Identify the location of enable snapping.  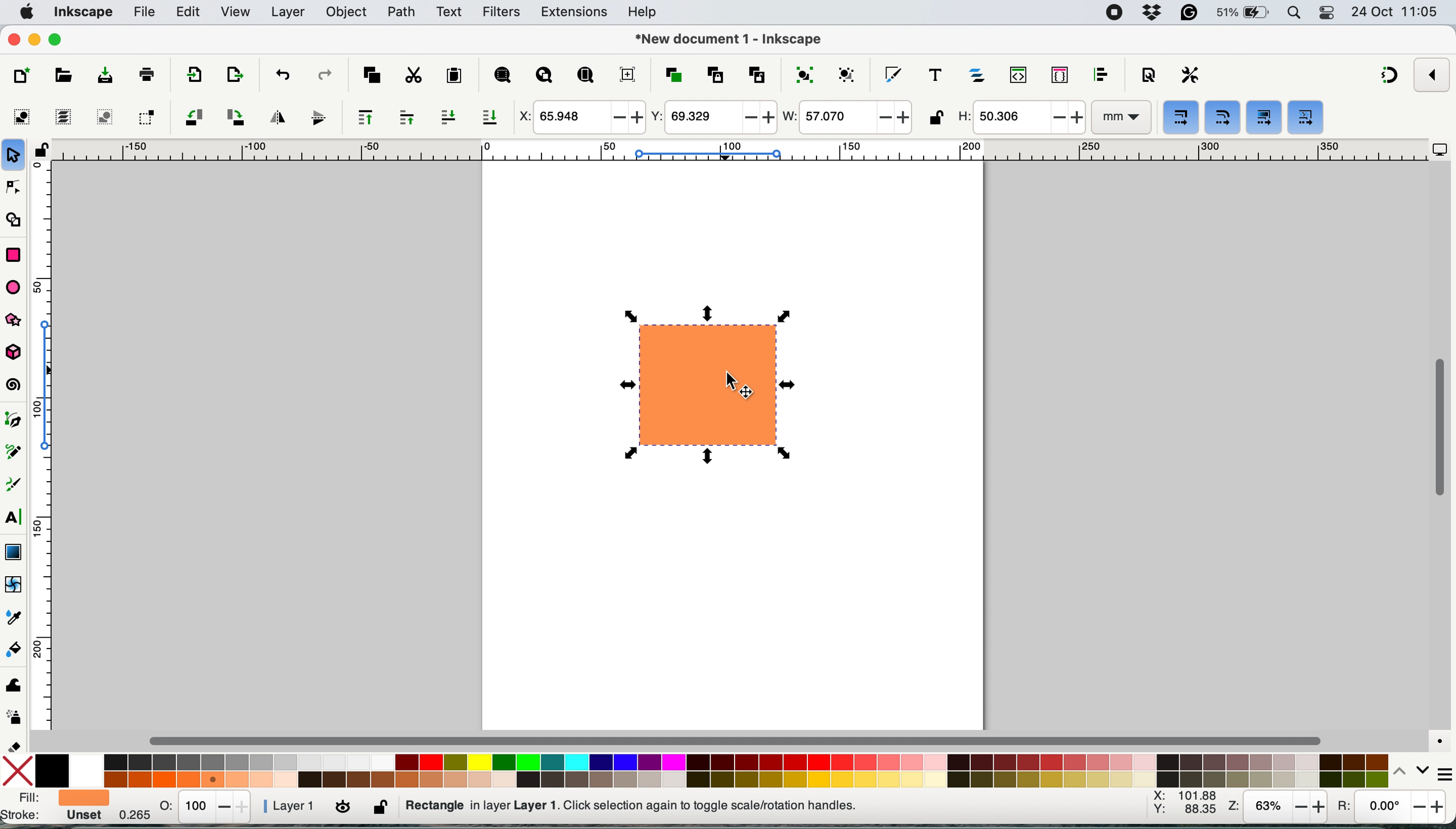
(1433, 74).